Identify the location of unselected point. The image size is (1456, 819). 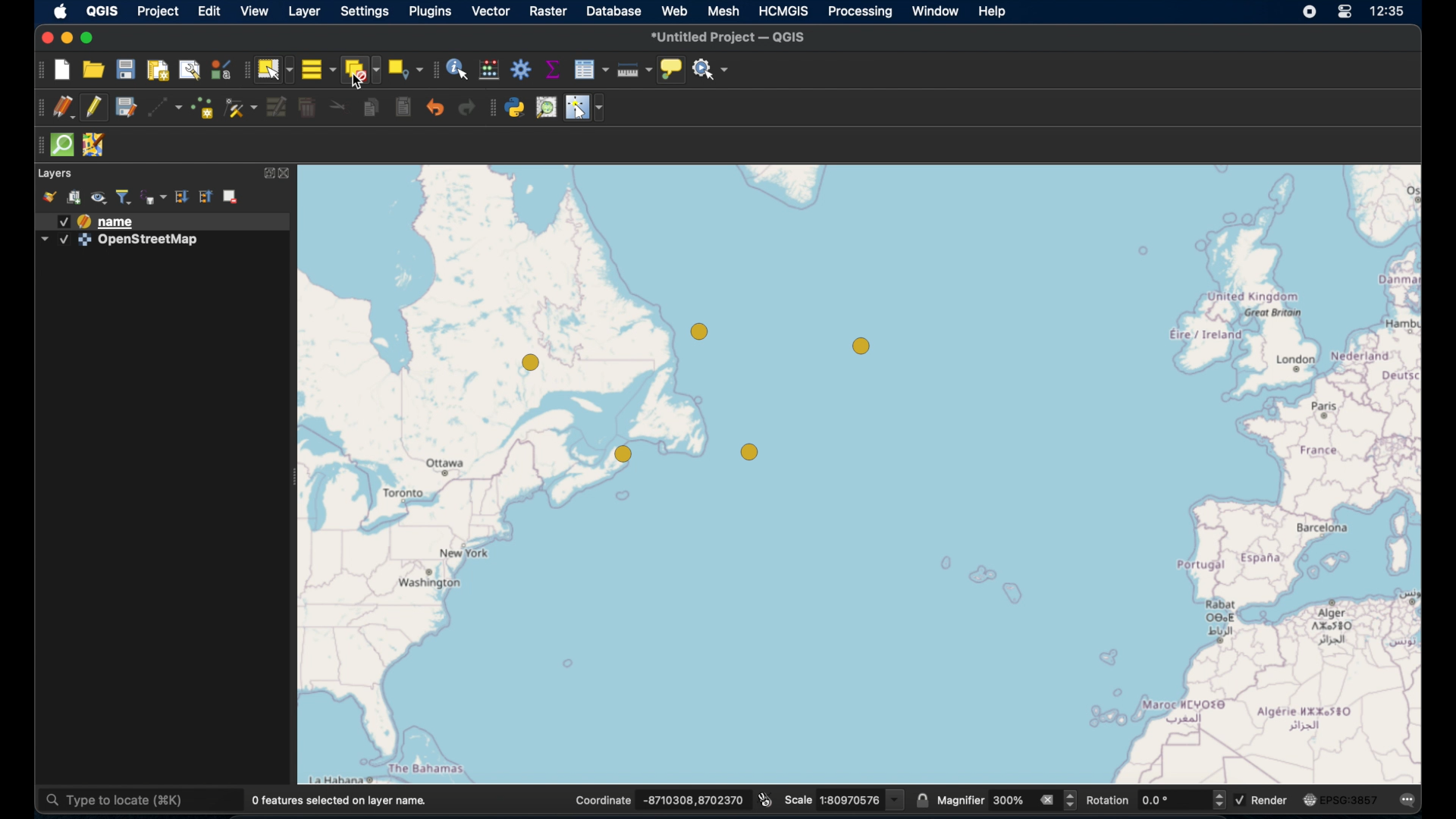
(861, 347).